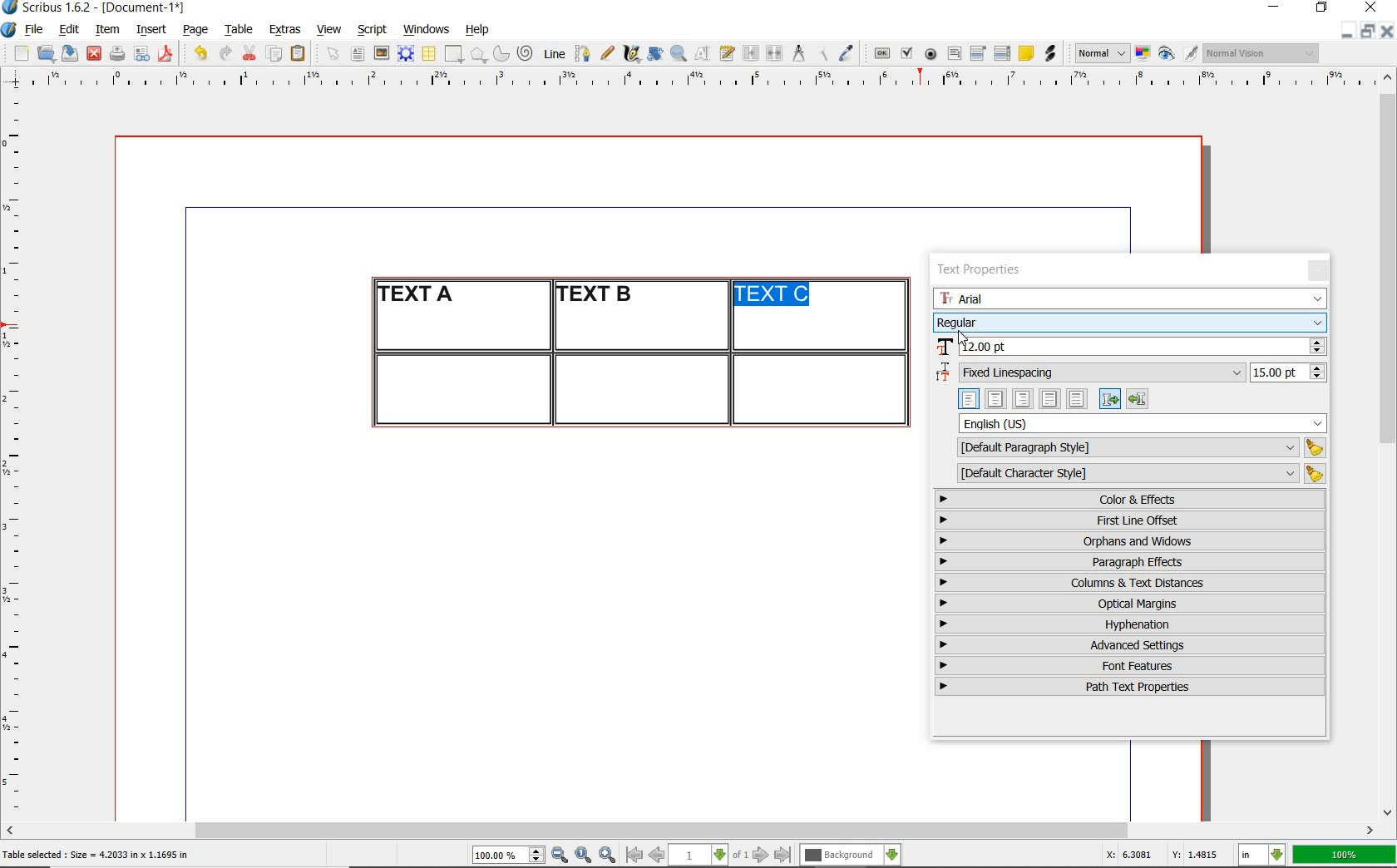 Image resolution: width=1397 pixels, height=868 pixels. Describe the element at coordinates (846, 55) in the screenshot. I see `eye dropper` at that location.